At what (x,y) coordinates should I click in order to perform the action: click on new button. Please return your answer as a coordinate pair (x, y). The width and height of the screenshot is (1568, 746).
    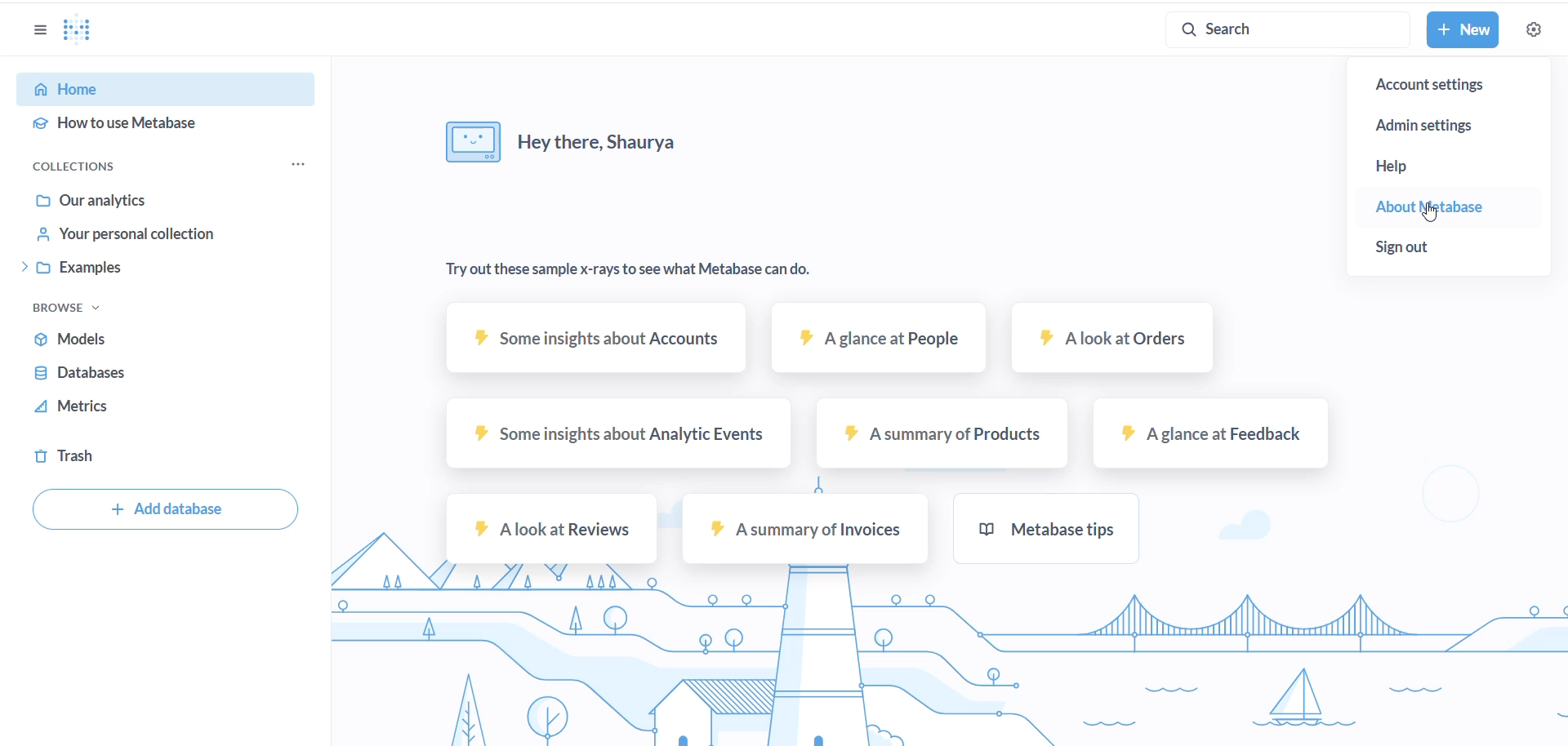
    Looking at the image, I should click on (1463, 31).